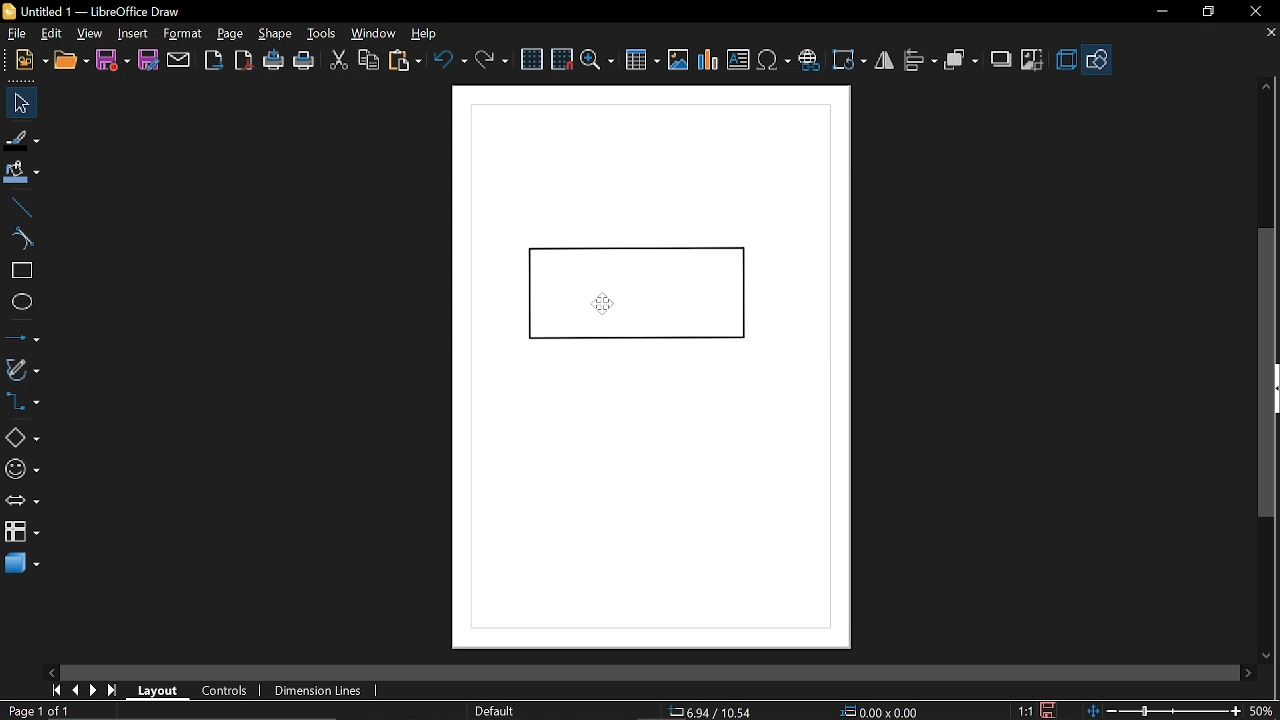 The width and height of the screenshot is (1280, 720). Describe the element at coordinates (75, 690) in the screenshot. I see `previous page` at that location.